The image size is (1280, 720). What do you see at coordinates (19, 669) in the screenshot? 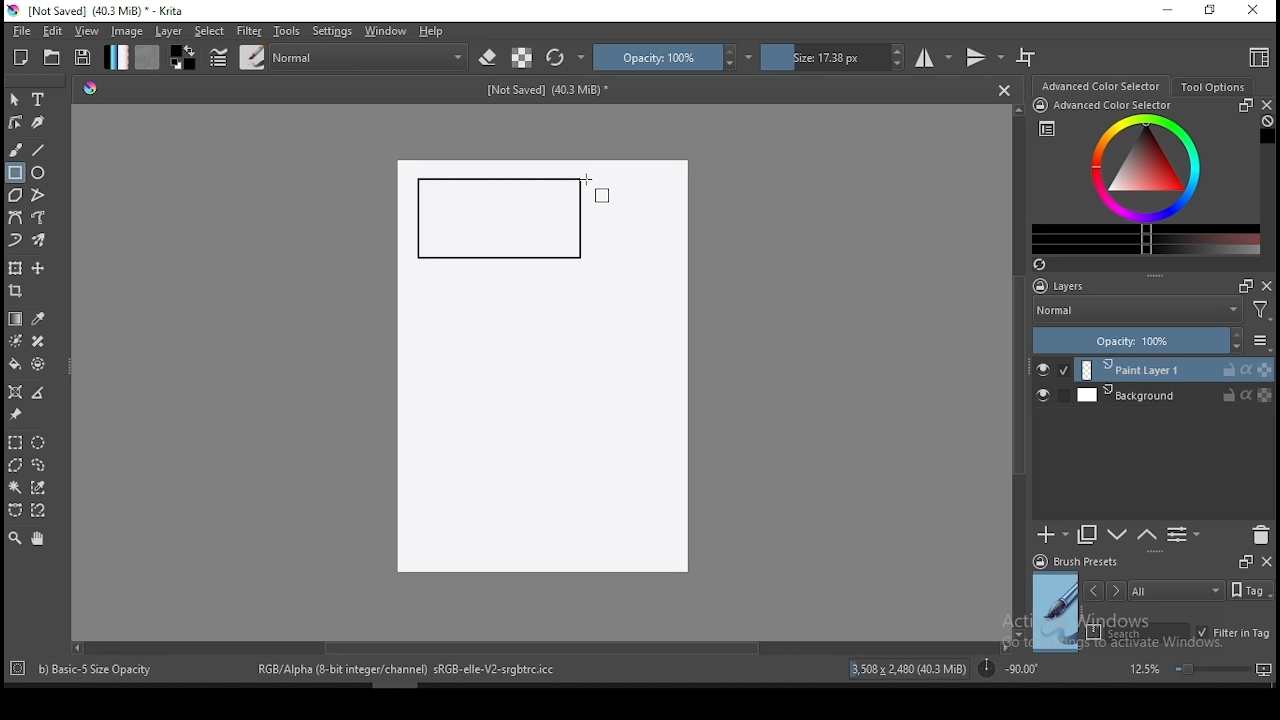
I see `Target` at bounding box center [19, 669].